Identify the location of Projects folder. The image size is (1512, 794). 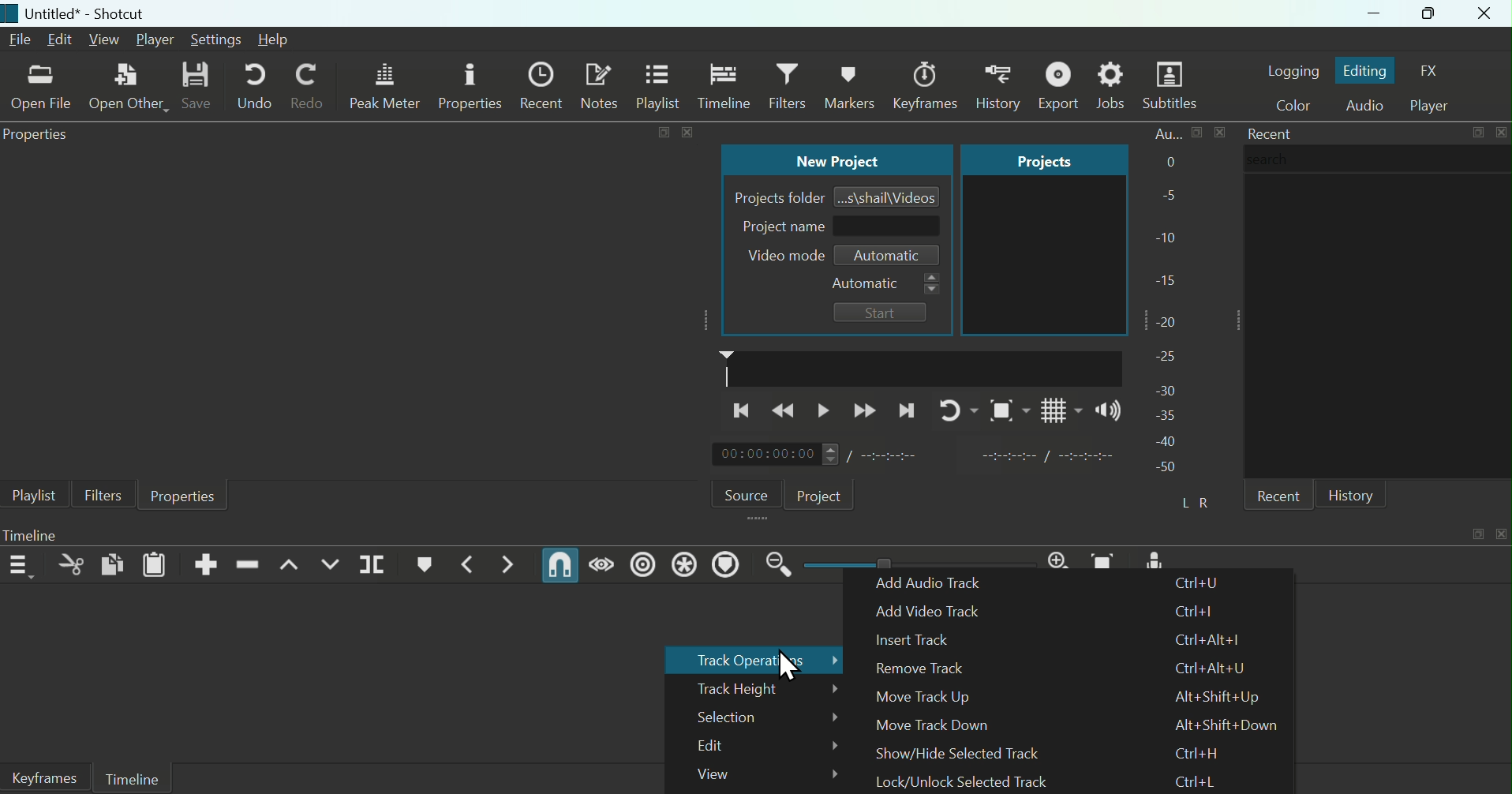
(776, 197).